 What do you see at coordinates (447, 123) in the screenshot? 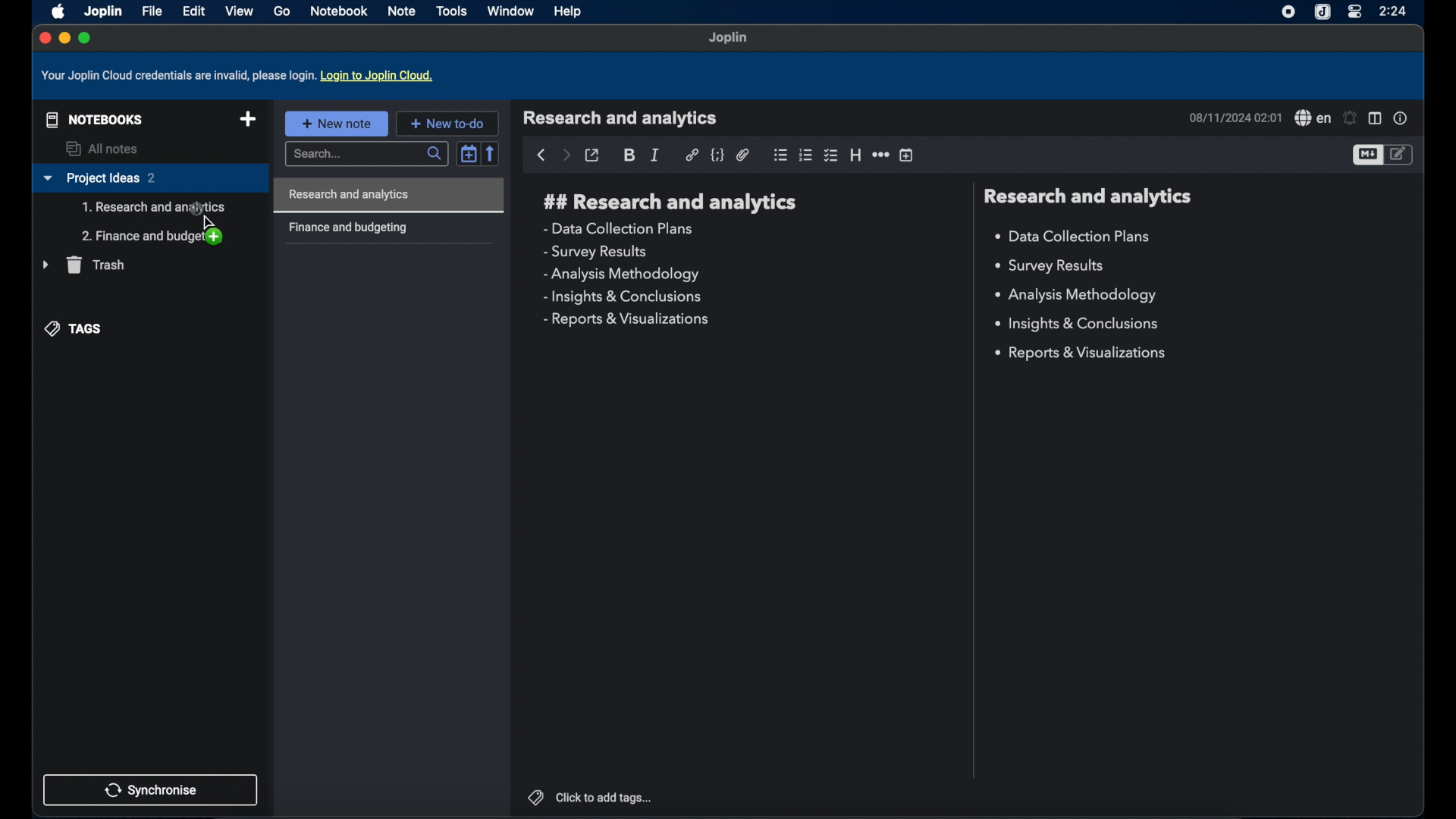
I see `new to-do` at bounding box center [447, 123].